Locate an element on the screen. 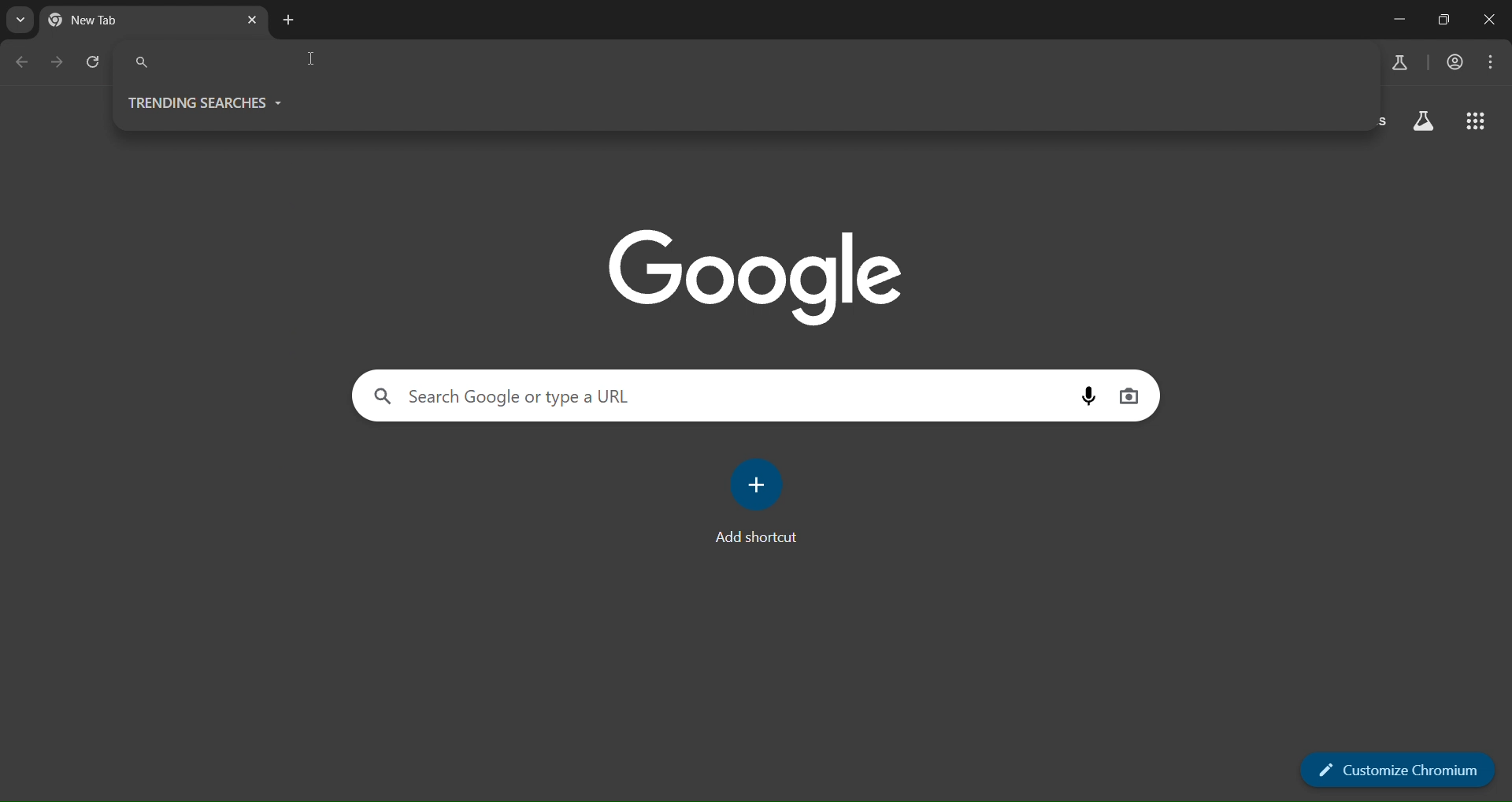 The height and width of the screenshot is (802, 1512). new tab is located at coordinates (292, 19).